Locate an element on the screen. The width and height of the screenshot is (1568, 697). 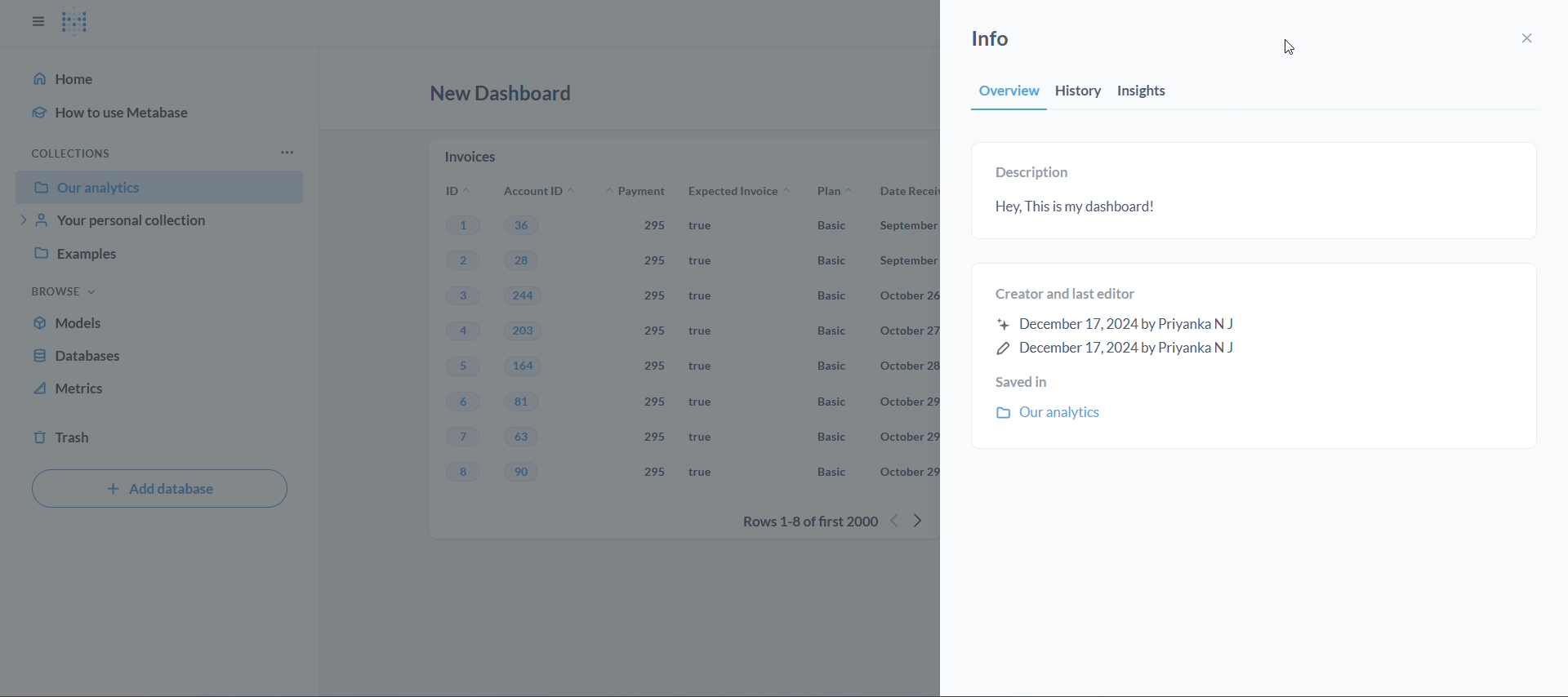
models is located at coordinates (159, 326).